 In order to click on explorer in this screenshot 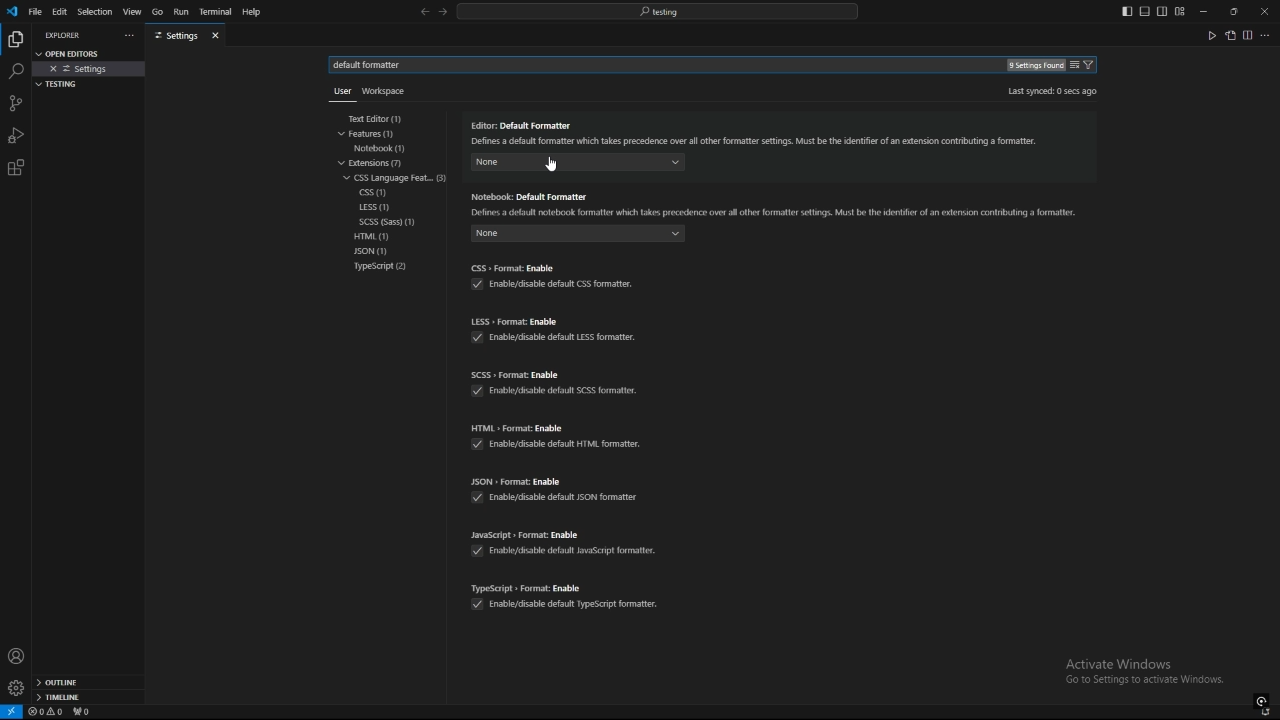, I will do `click(66, 35)`.